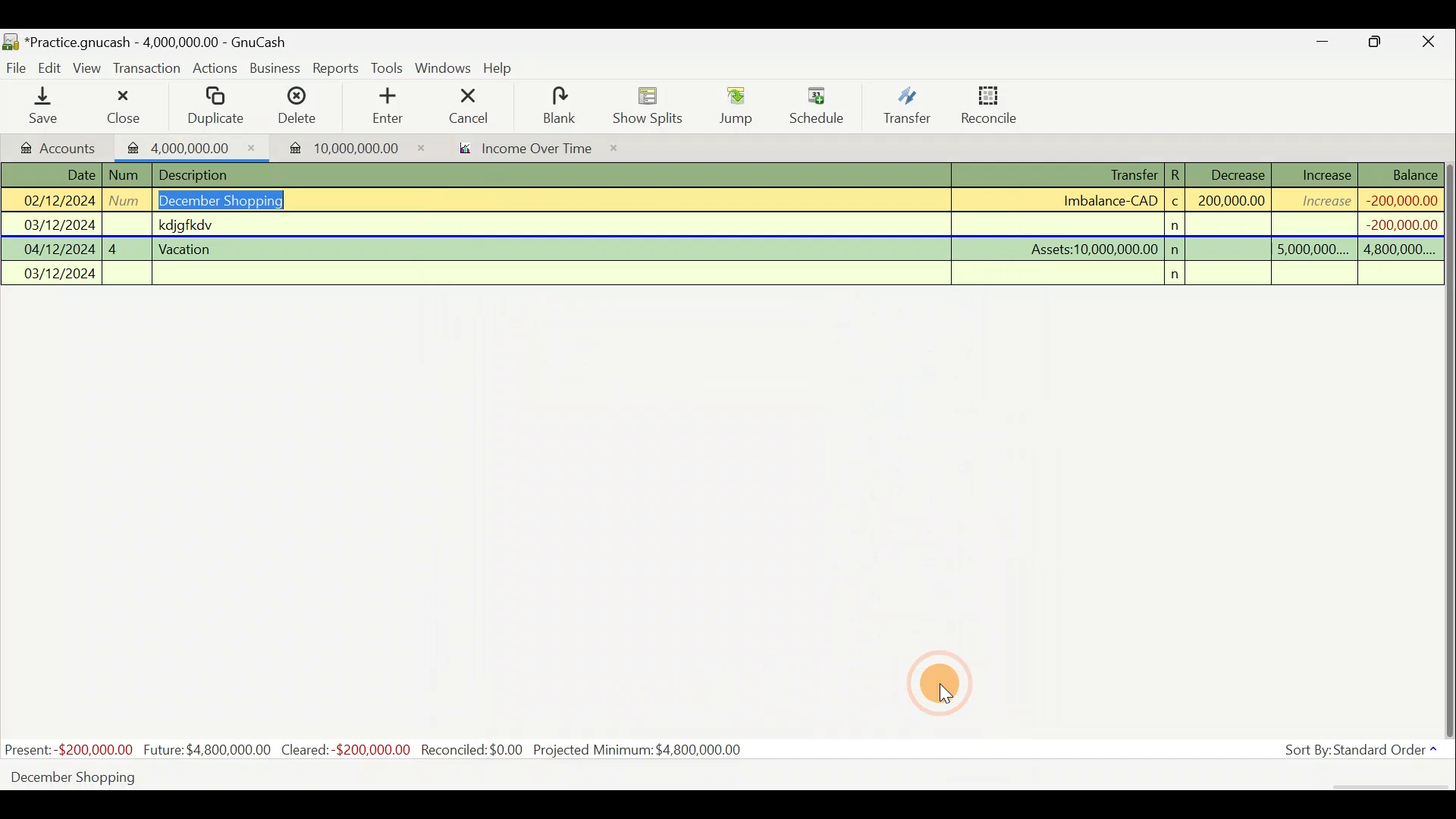  Describe the element at coordinates (725, 227) in the screenshot. I see `Lines of transactions` at that location.